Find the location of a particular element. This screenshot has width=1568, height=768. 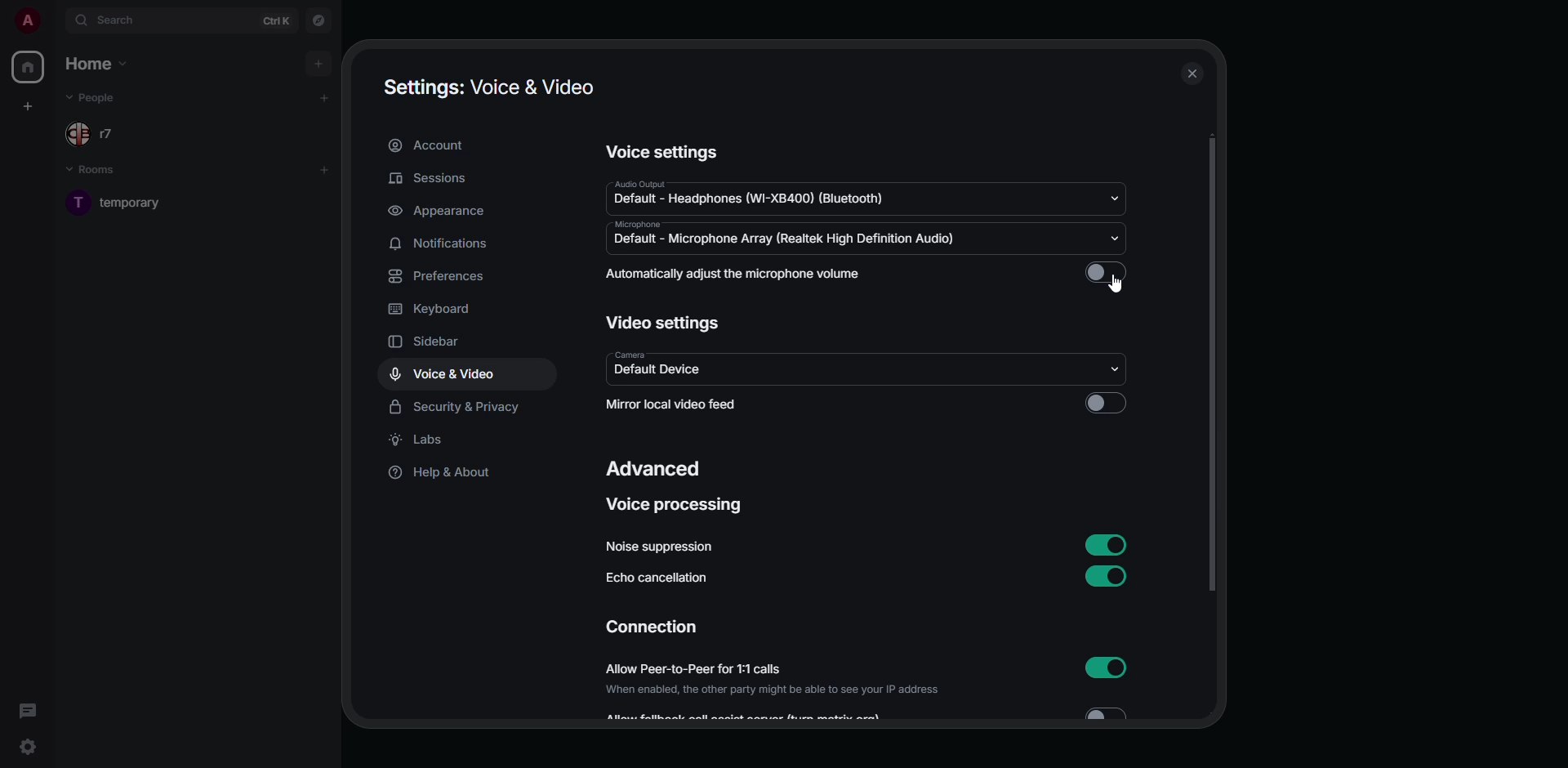

account is located at coordinates (430, 145).